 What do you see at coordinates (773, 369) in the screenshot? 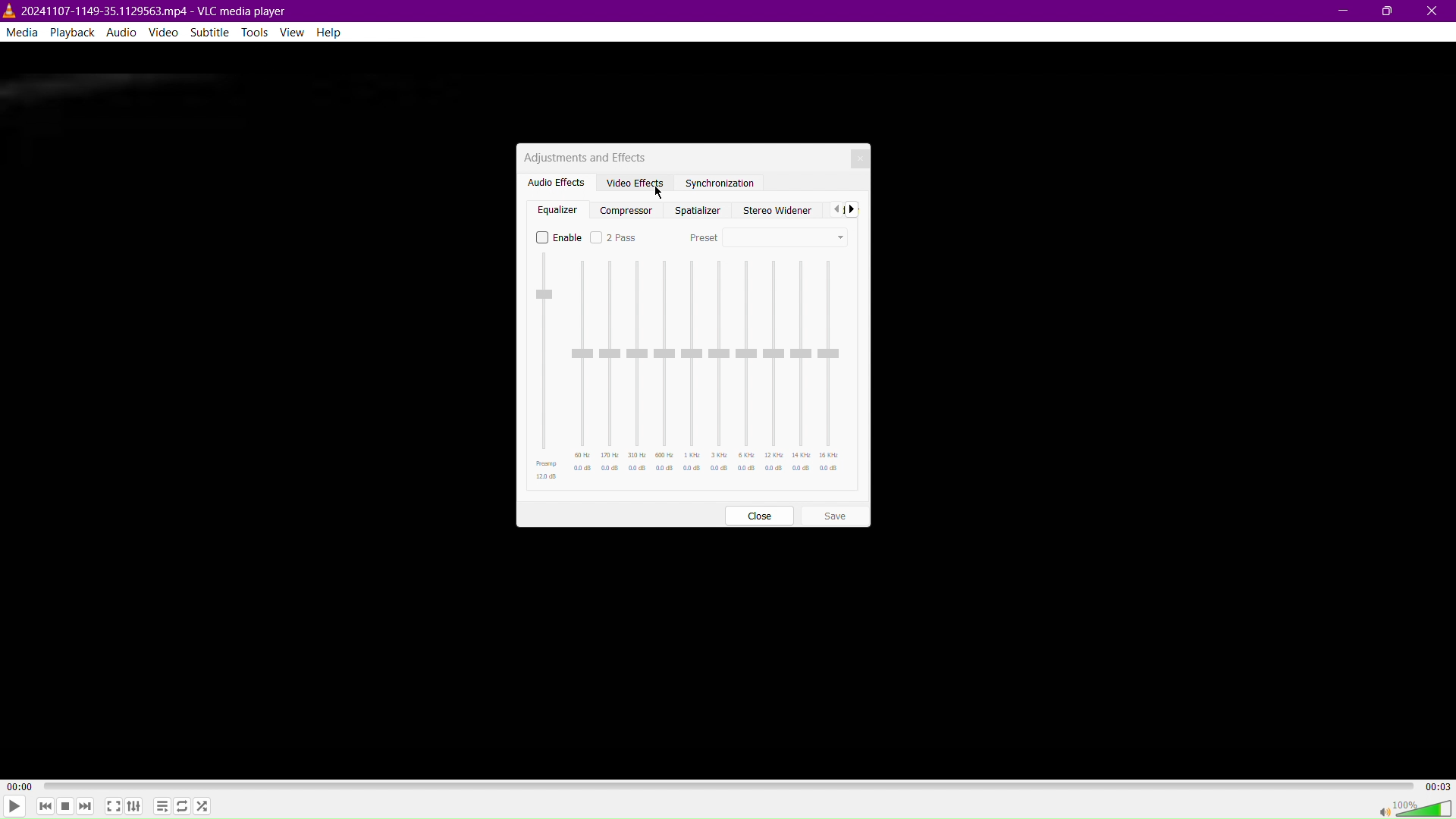
I see `12 KHz Equalizer` at bounding box center [773, 369].